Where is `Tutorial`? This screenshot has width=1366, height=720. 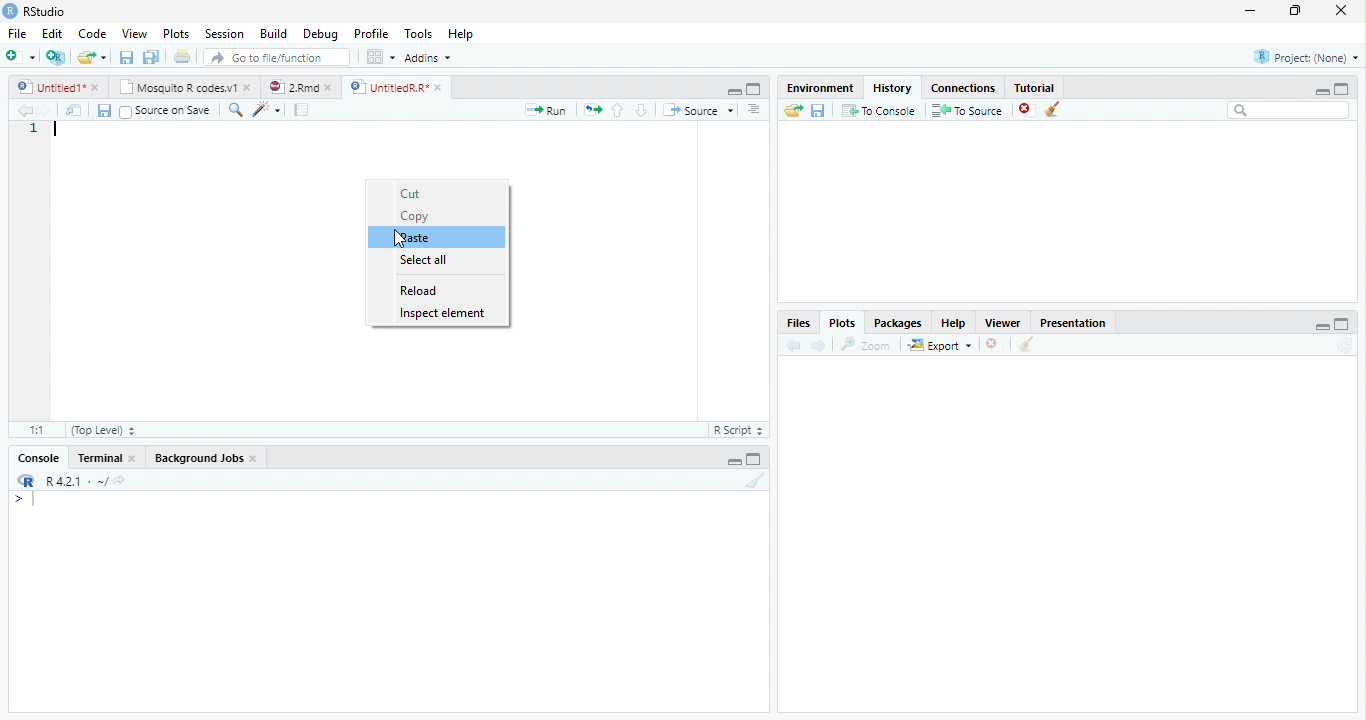
Tutorial is located at coordinates (1036, 87).